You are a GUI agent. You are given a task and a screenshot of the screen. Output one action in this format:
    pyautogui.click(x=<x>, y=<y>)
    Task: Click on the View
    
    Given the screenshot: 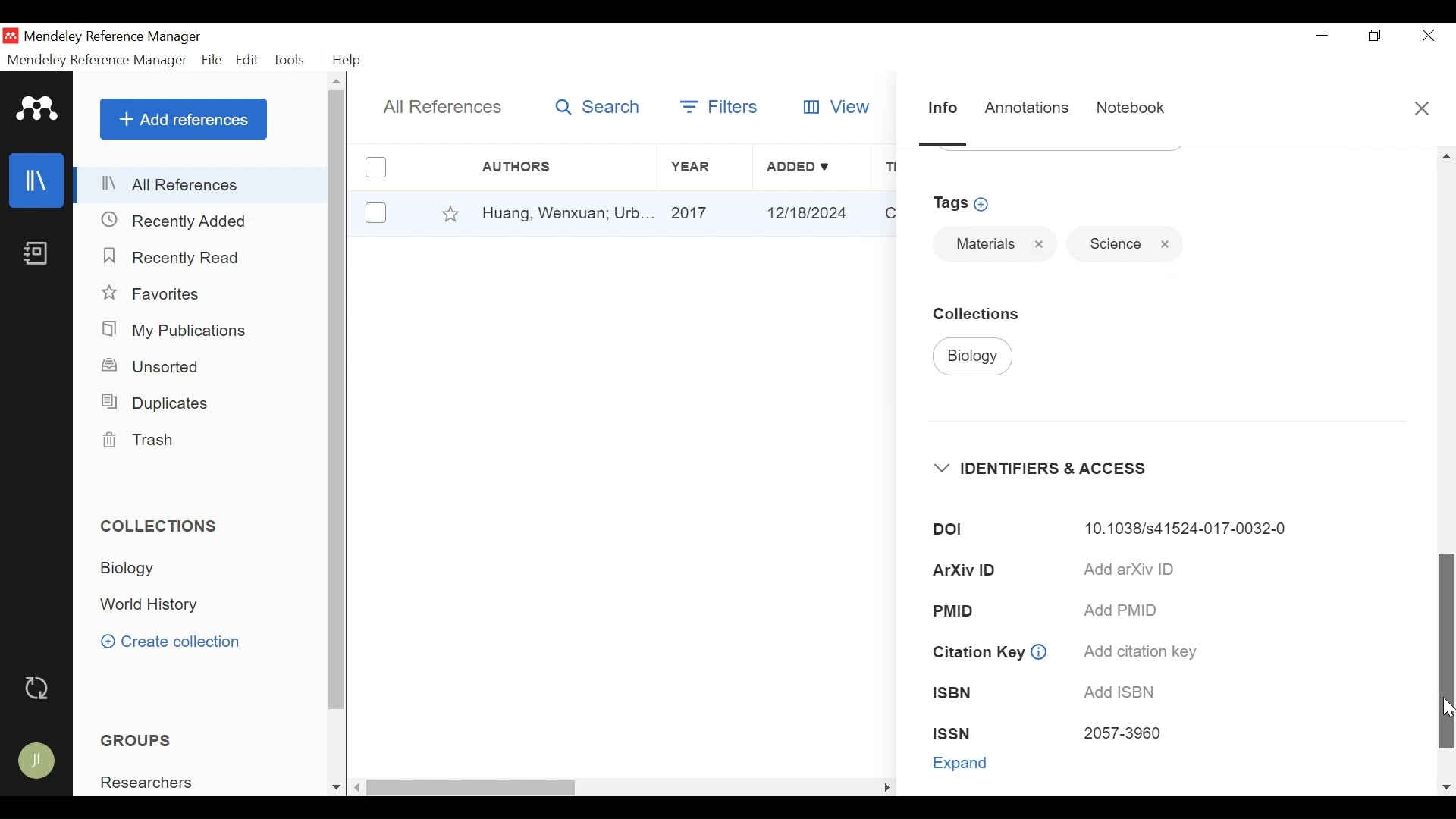 What is the action you would take?
    pyautogui.click(x=839, y=105)
    